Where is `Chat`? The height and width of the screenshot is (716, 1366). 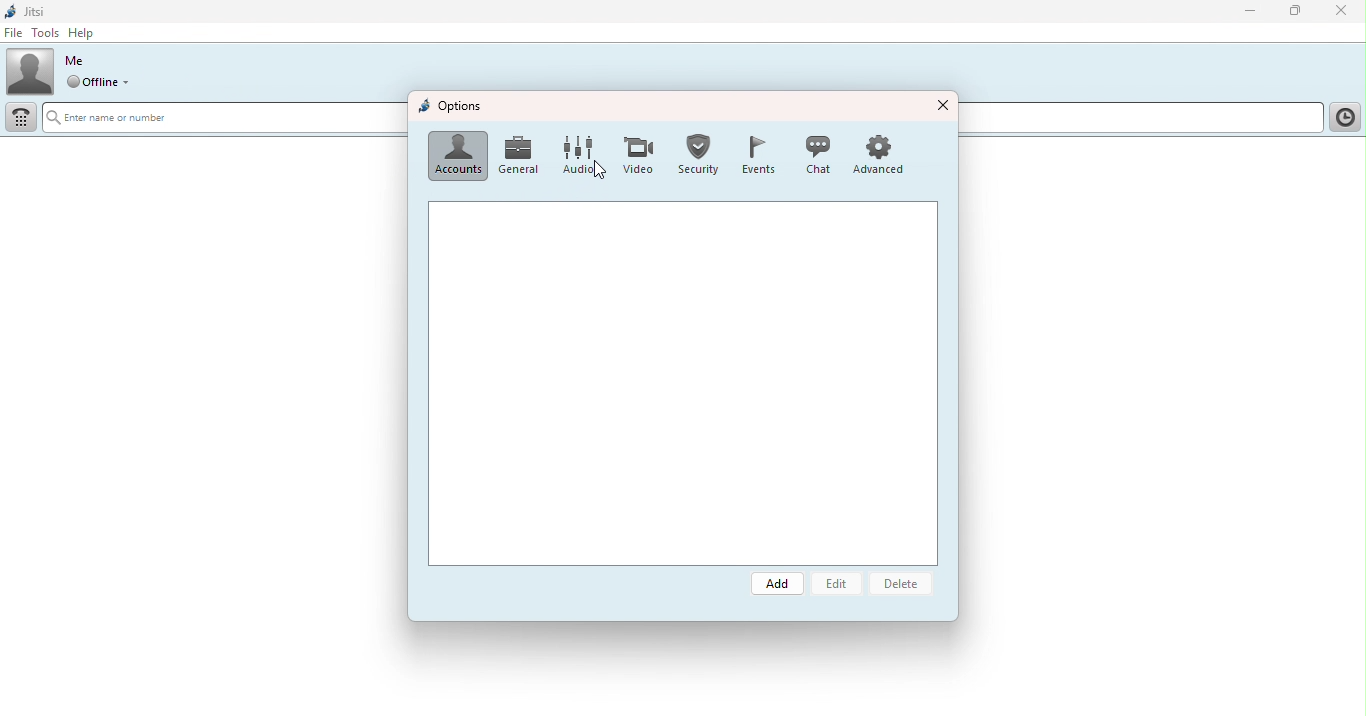
Chat is located at coordinates (816, 154).